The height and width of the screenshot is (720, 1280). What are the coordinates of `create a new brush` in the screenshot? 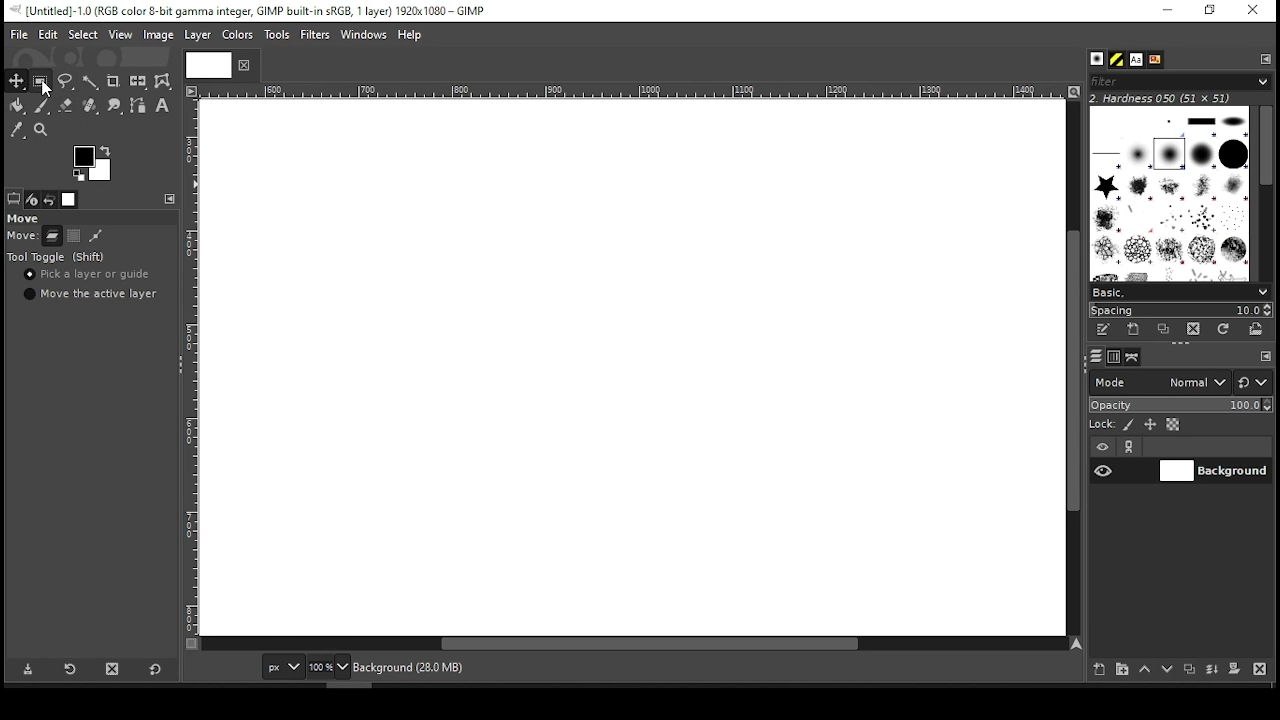 It's located at (1136, 329).